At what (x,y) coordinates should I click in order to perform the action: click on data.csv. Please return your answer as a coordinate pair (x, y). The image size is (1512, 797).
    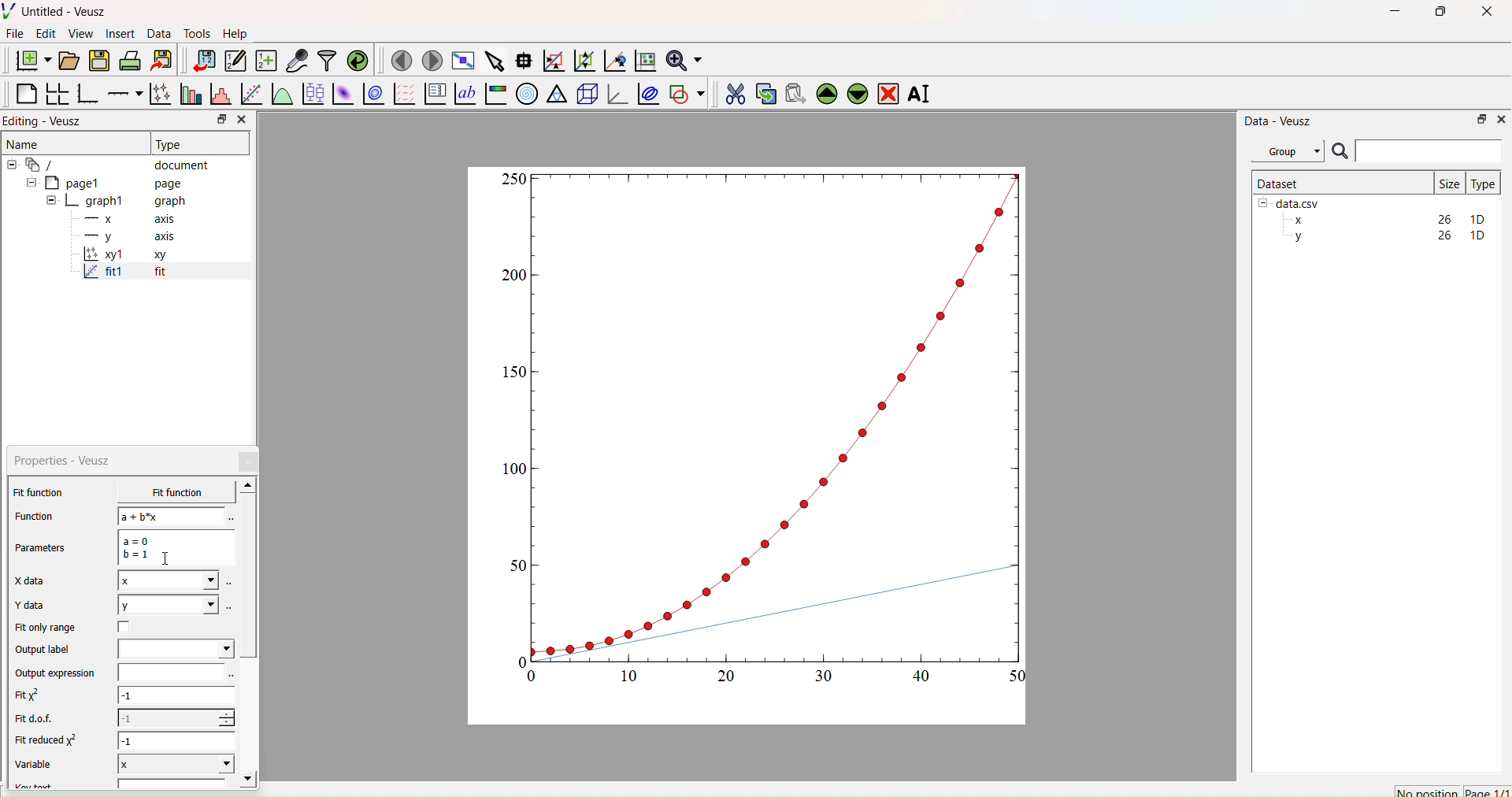
    Looking at the image, I should click on (1291, 202).